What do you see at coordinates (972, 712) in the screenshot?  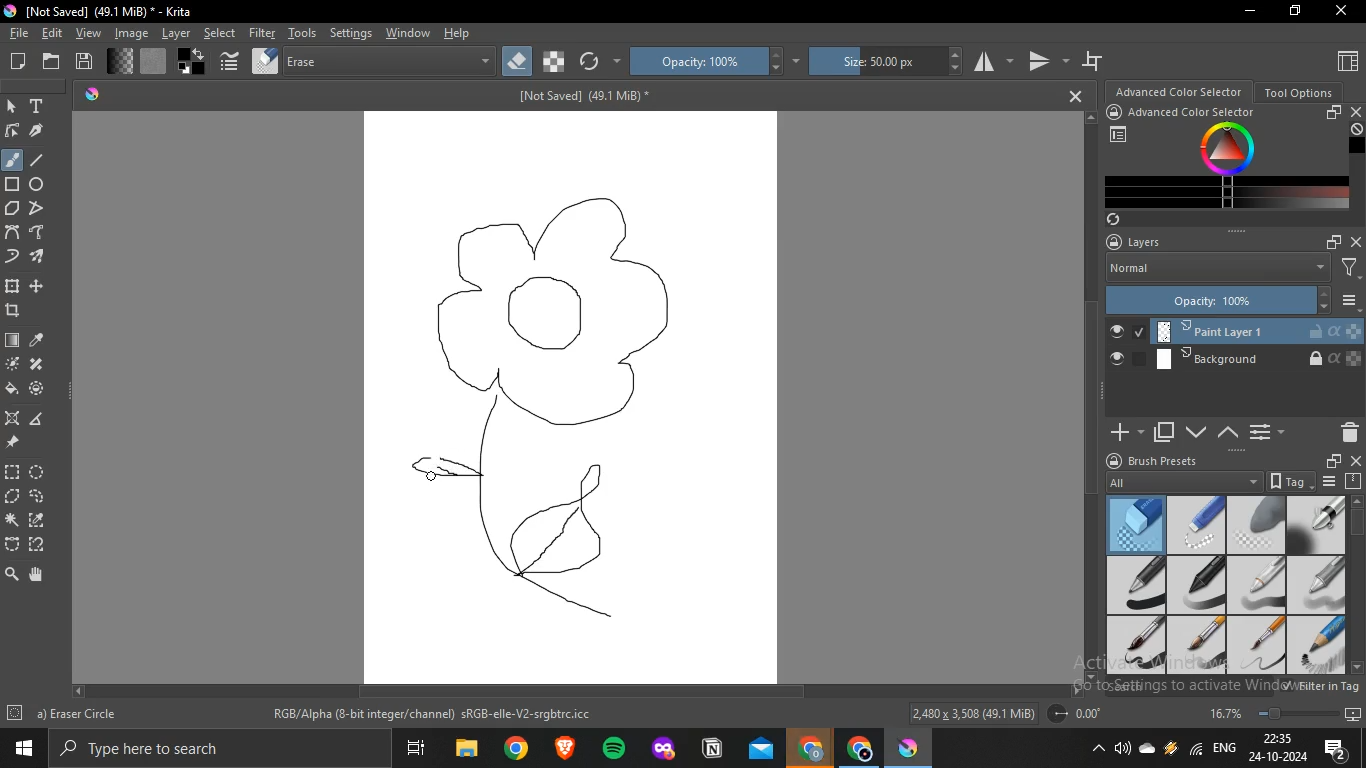 I see `2,480 x 3,508 (49.1 MiB)` at bounding box center [972, 712].